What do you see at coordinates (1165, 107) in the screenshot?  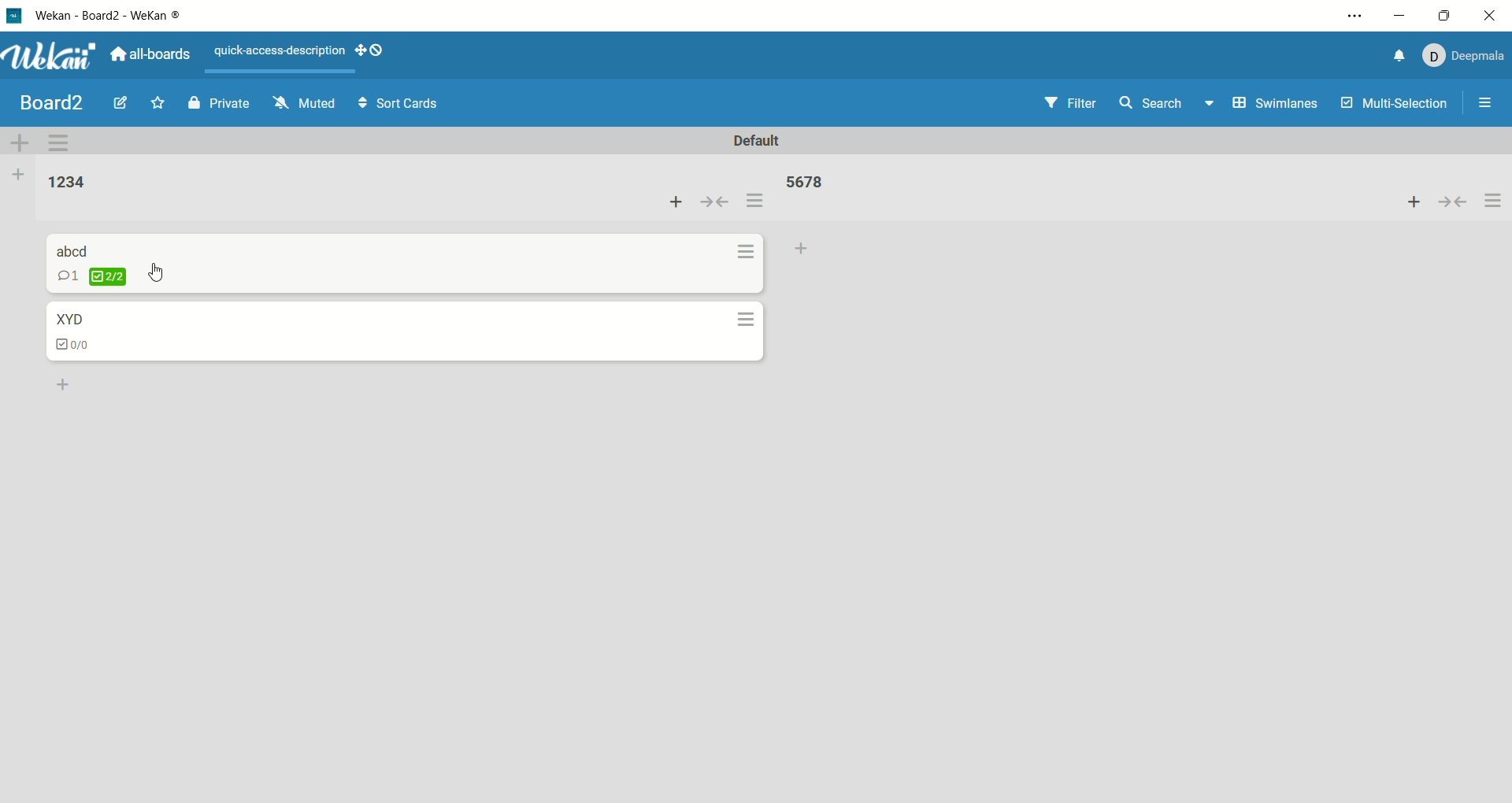 I see `search` at bounding box center [1165, 107].